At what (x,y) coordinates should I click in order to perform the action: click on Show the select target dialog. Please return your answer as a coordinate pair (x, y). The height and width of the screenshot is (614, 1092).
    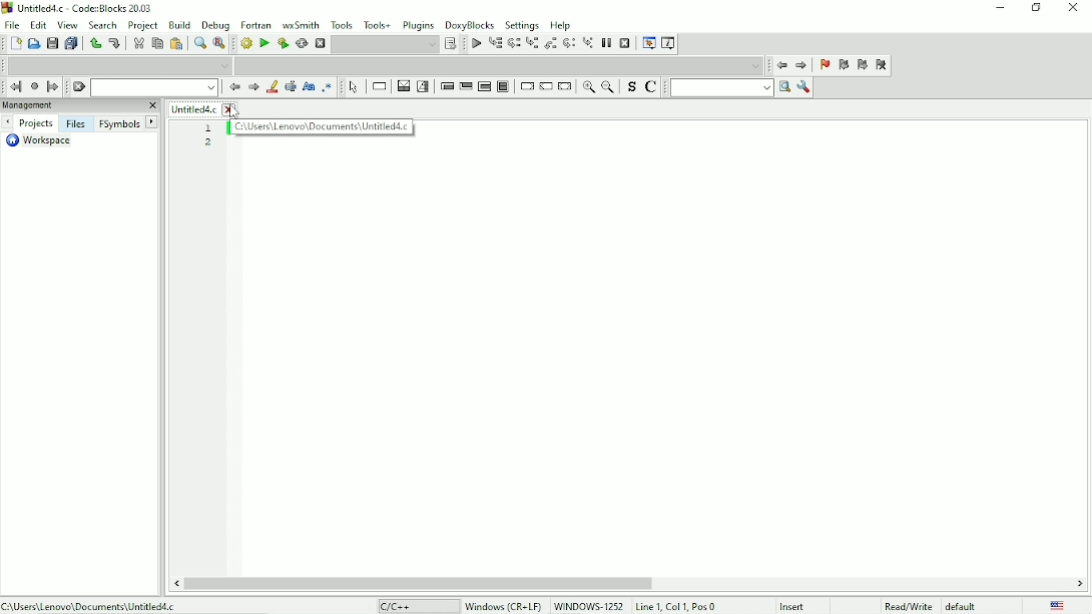
    Looking at the image, I should click on (450, 44).